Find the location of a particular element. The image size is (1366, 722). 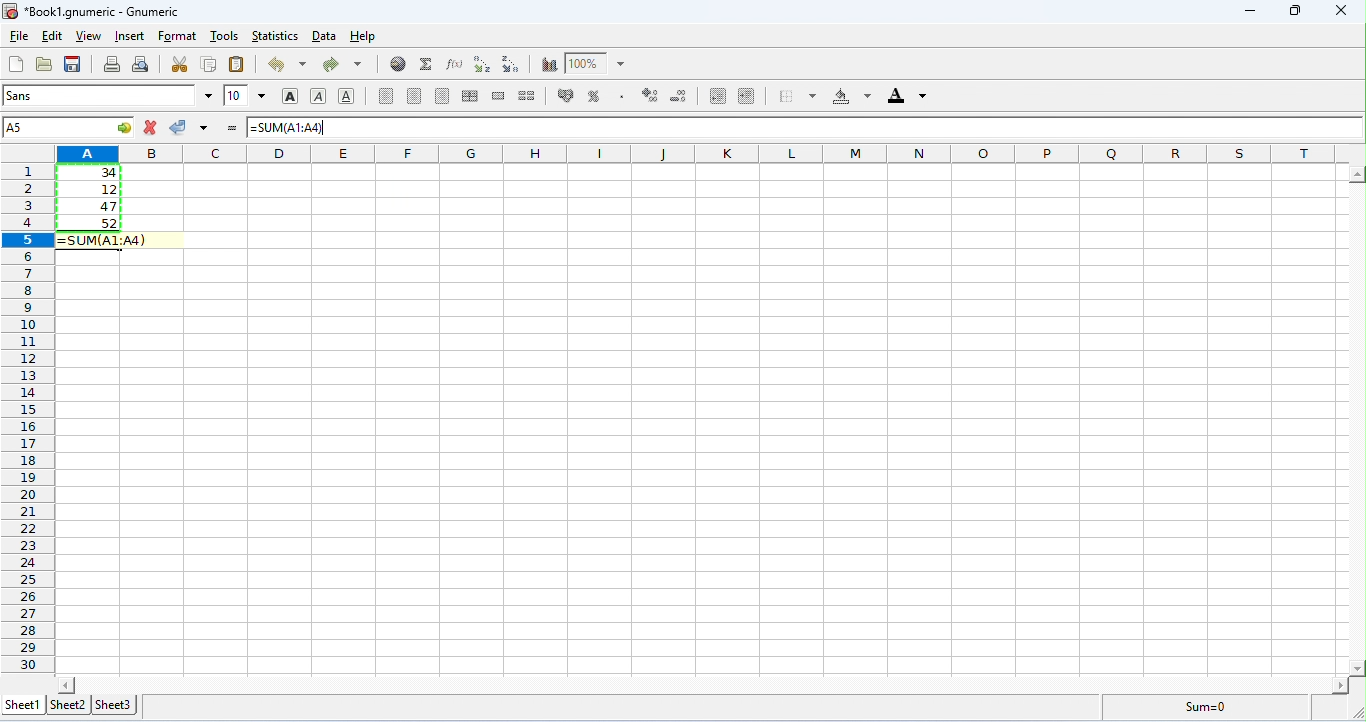

minimize is located at coordinates (1254, 13).